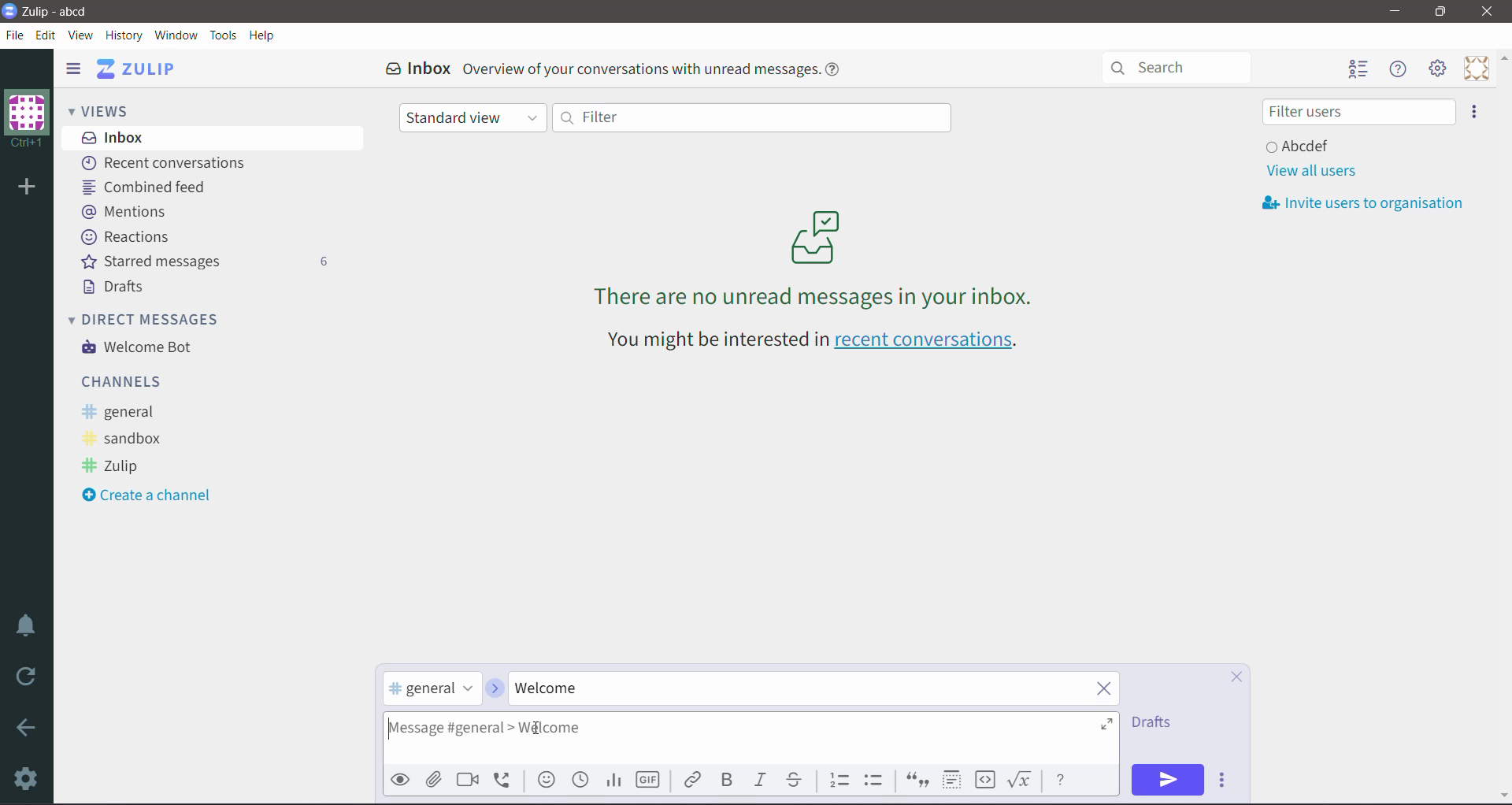  I want to click on Inbox, so click(213, 137).